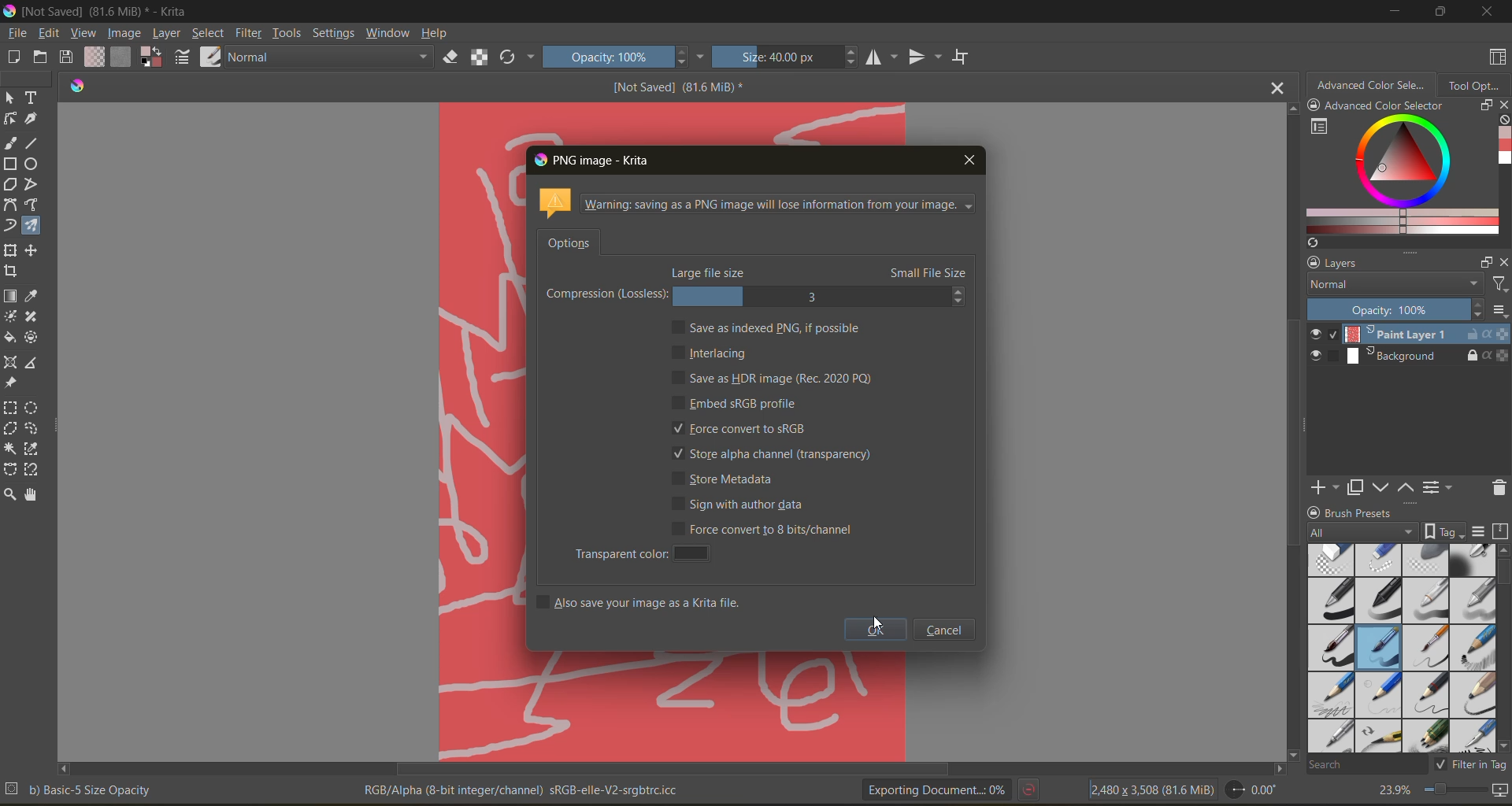  Describe the element at coordinates (1392, 285) in the screenshot. I see `normal` at that location.